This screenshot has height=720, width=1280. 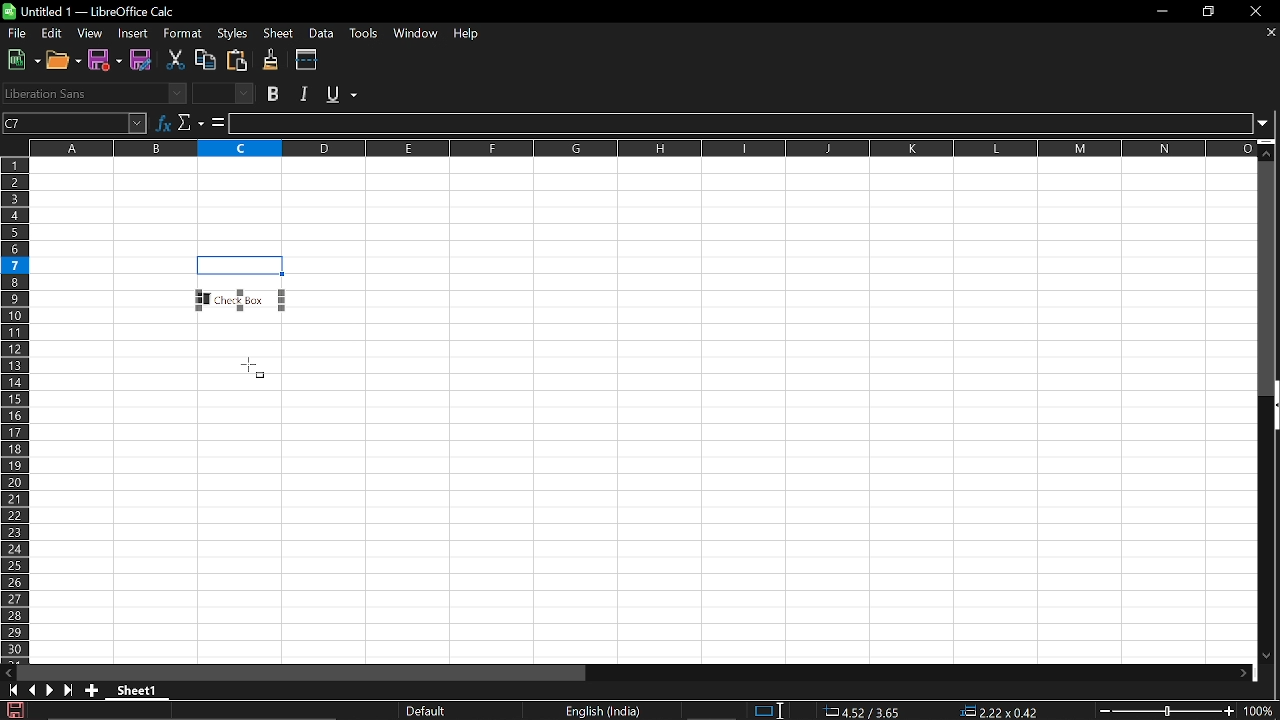 What do you see at coordinates (307, 59) in the screenshot?
I see `Split window` at bounding box center [307, 59].